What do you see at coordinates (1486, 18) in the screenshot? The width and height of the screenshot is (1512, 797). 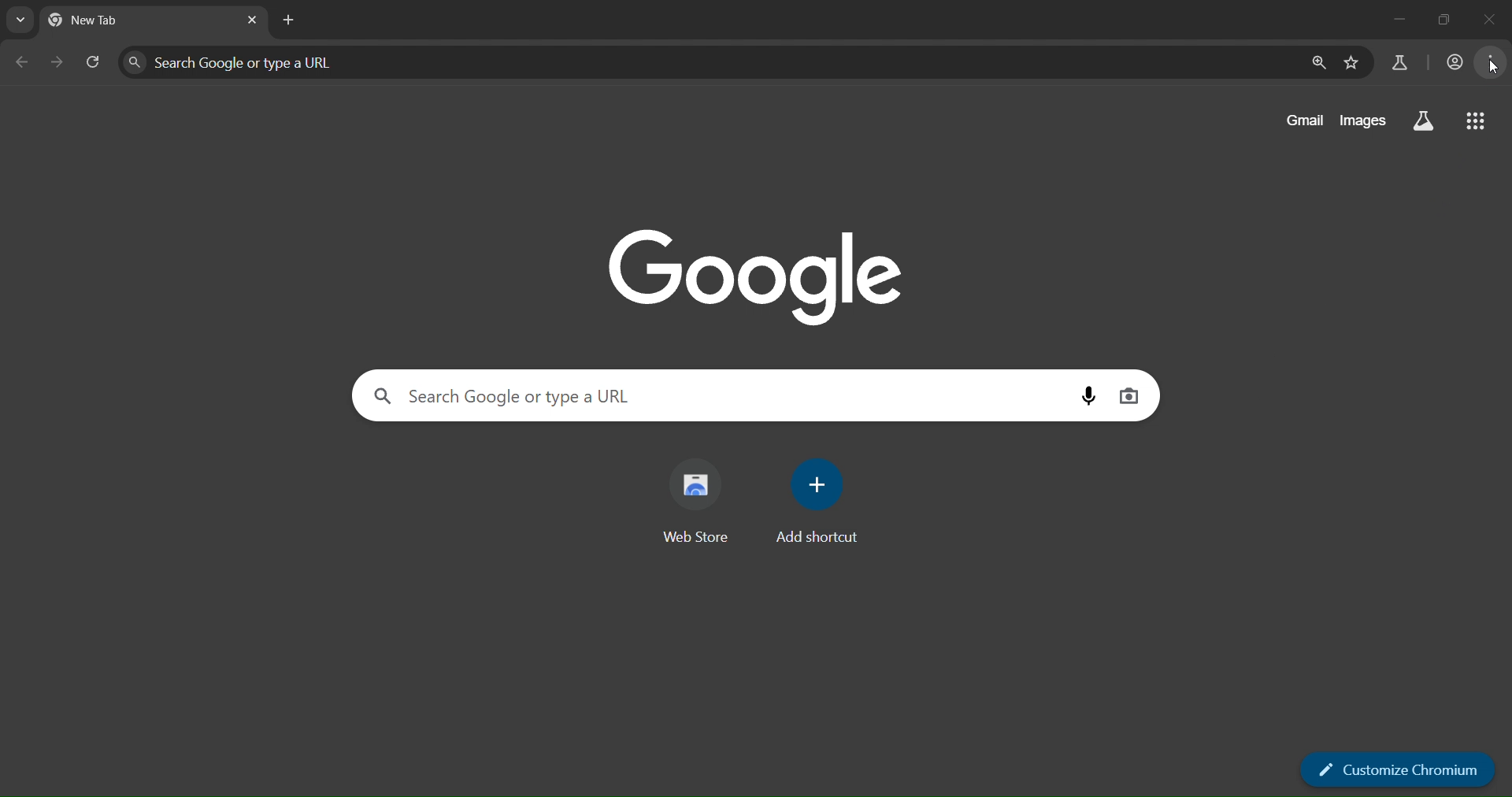 I see `close` at bounding box center [1486, 18].